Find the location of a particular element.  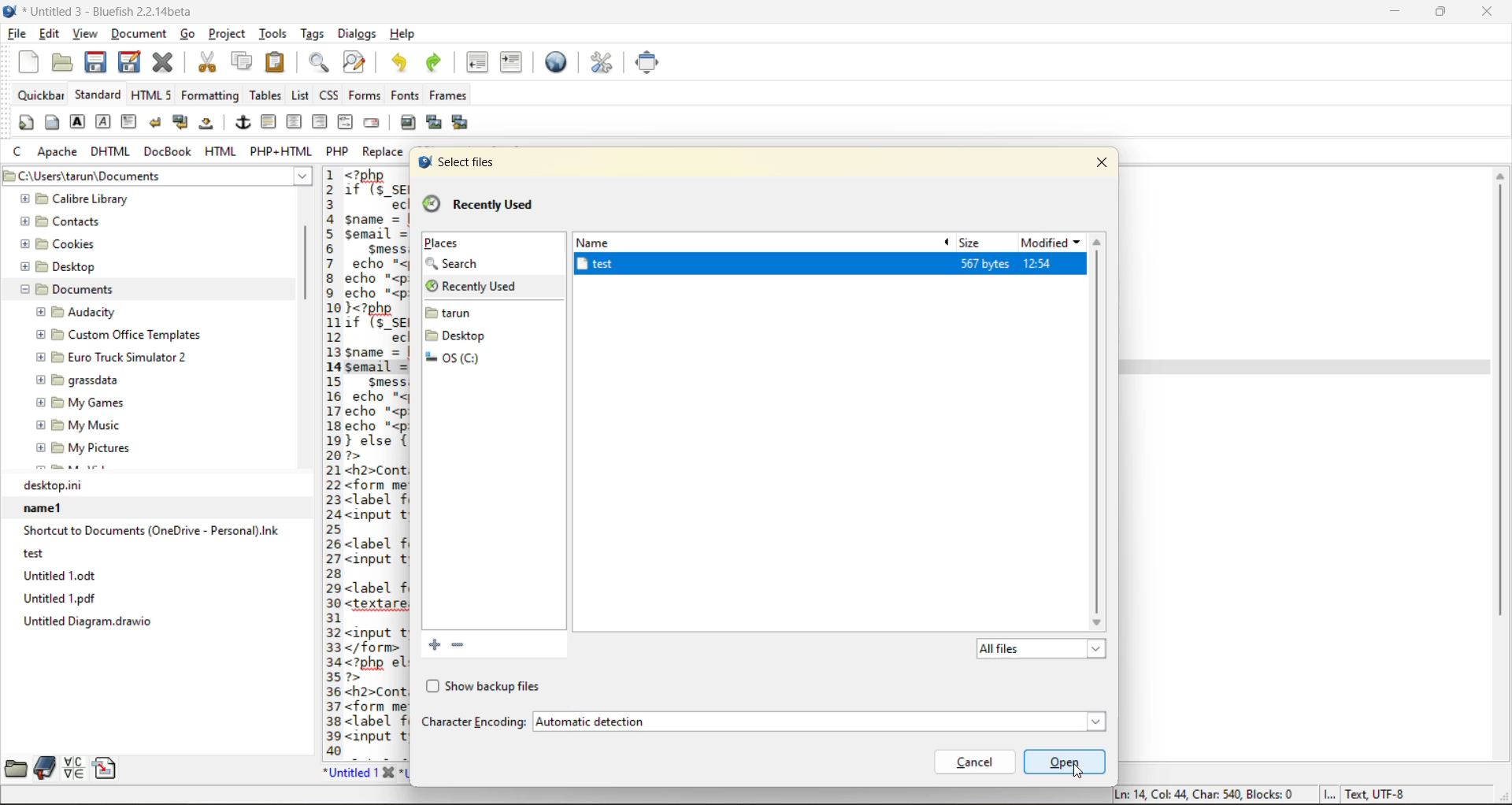

c is located at coordinates (20, 154).